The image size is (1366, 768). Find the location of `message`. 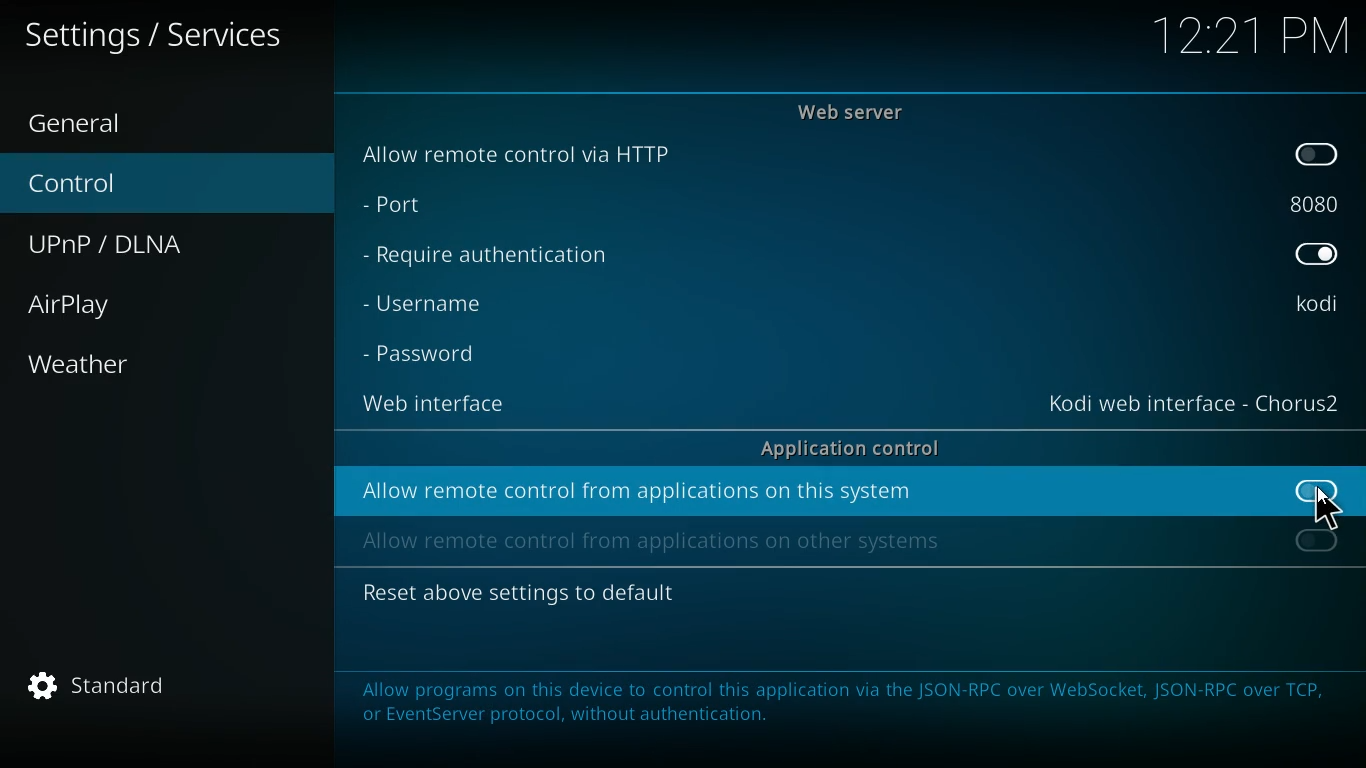

message is located at coordinates (844, 709).